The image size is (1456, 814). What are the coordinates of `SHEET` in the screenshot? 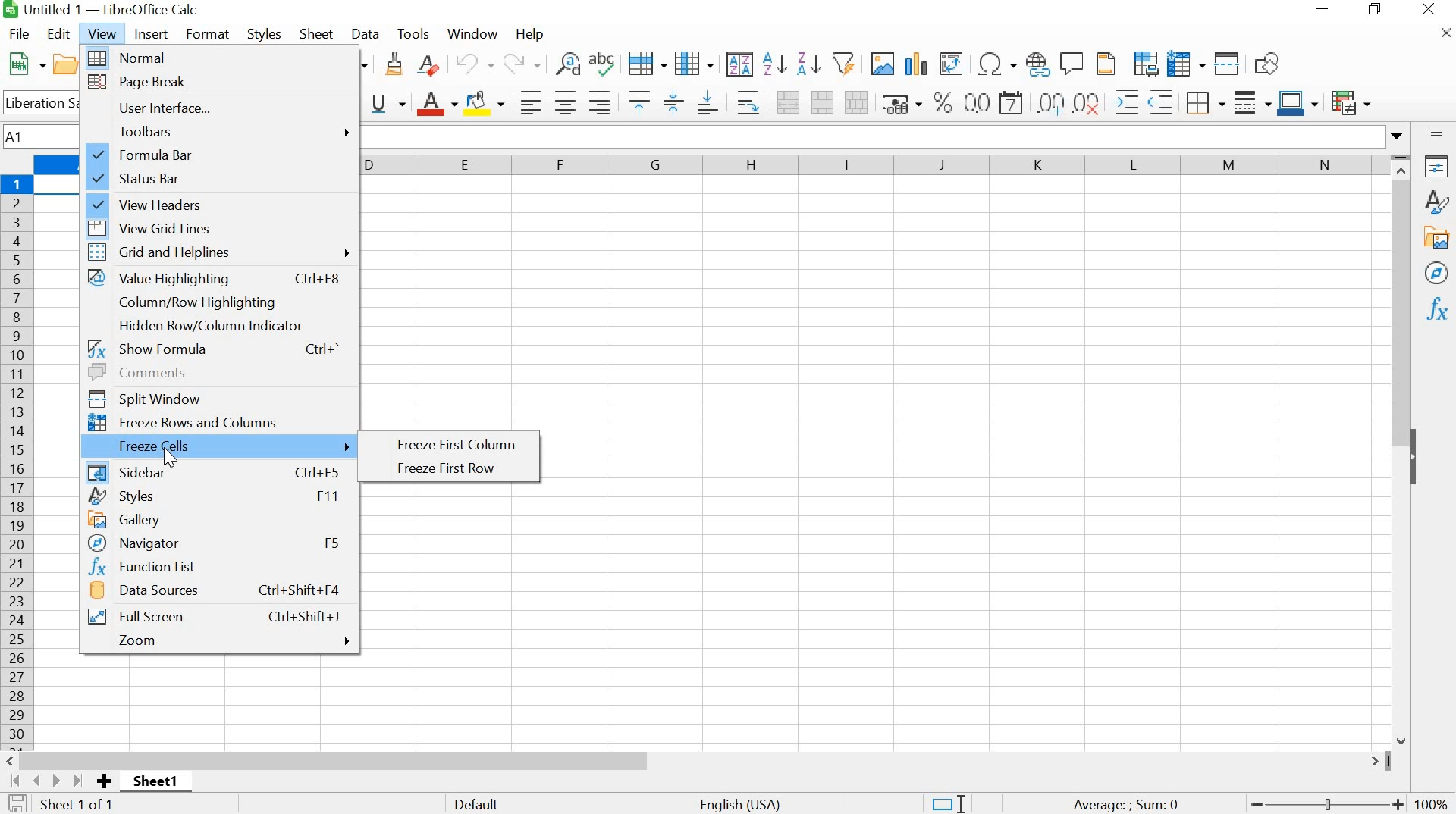 It's located at (317, 36).